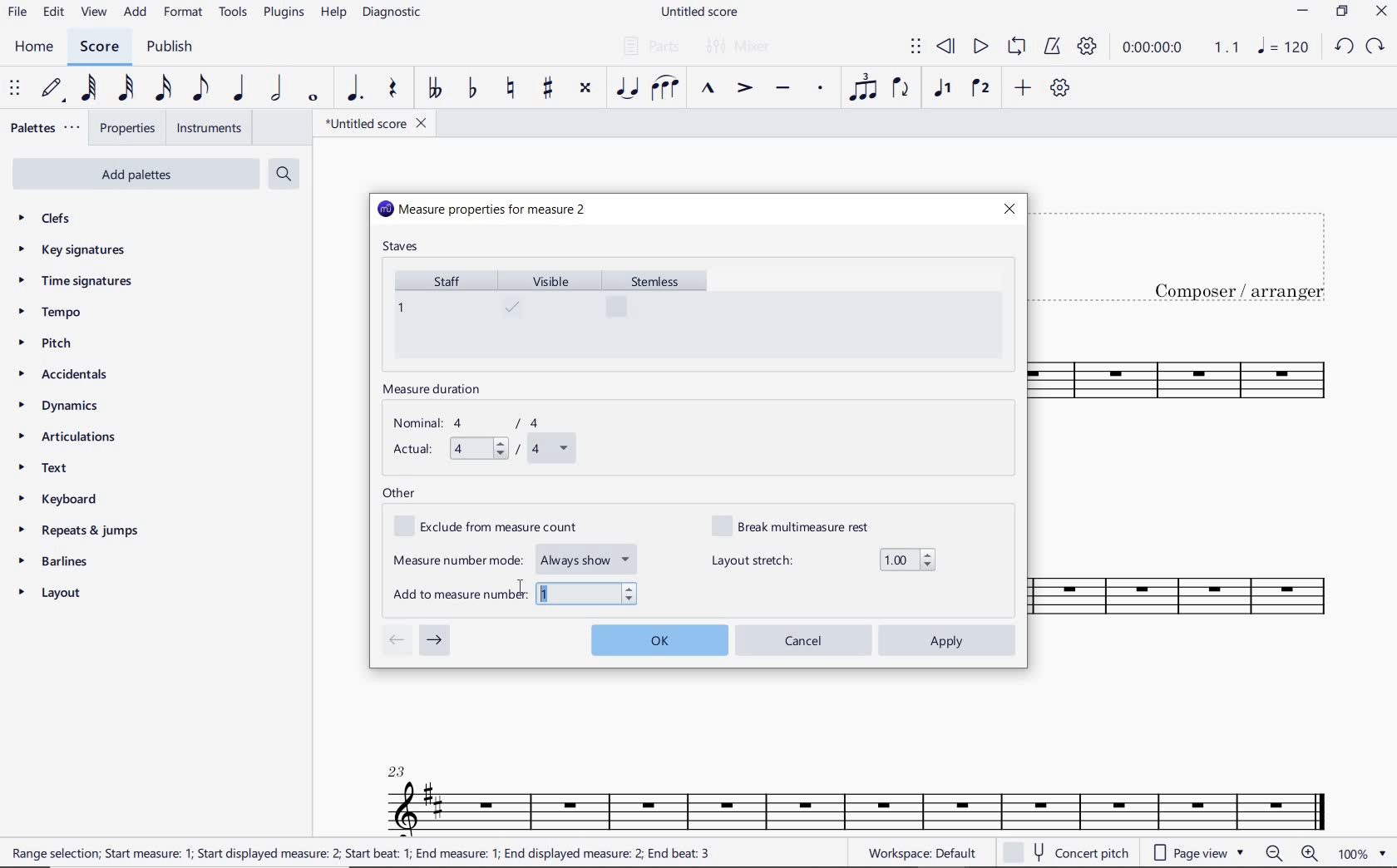 The width and height of the screenshot is (1397, 868). Describe the element at coordinates (1304, 13) in the screenshot. I see `MINIMIZE` at that location.